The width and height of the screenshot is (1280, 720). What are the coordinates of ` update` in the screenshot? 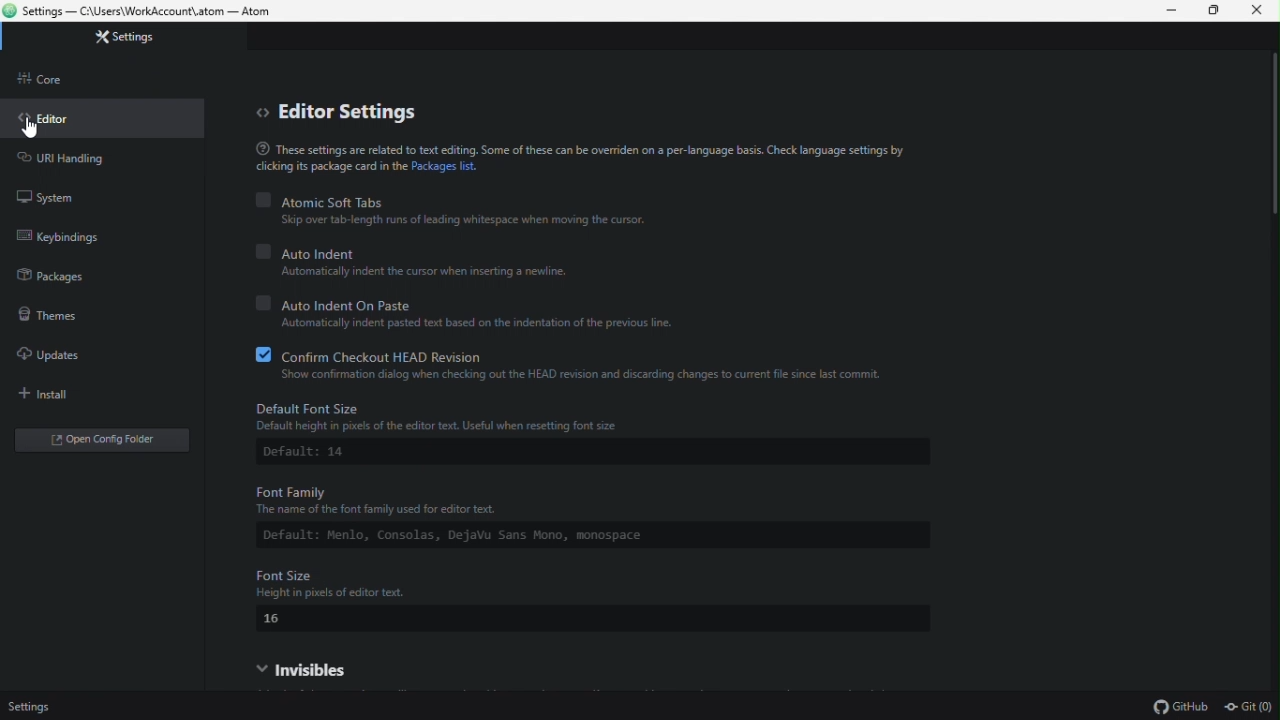 It's located at (60, 355).